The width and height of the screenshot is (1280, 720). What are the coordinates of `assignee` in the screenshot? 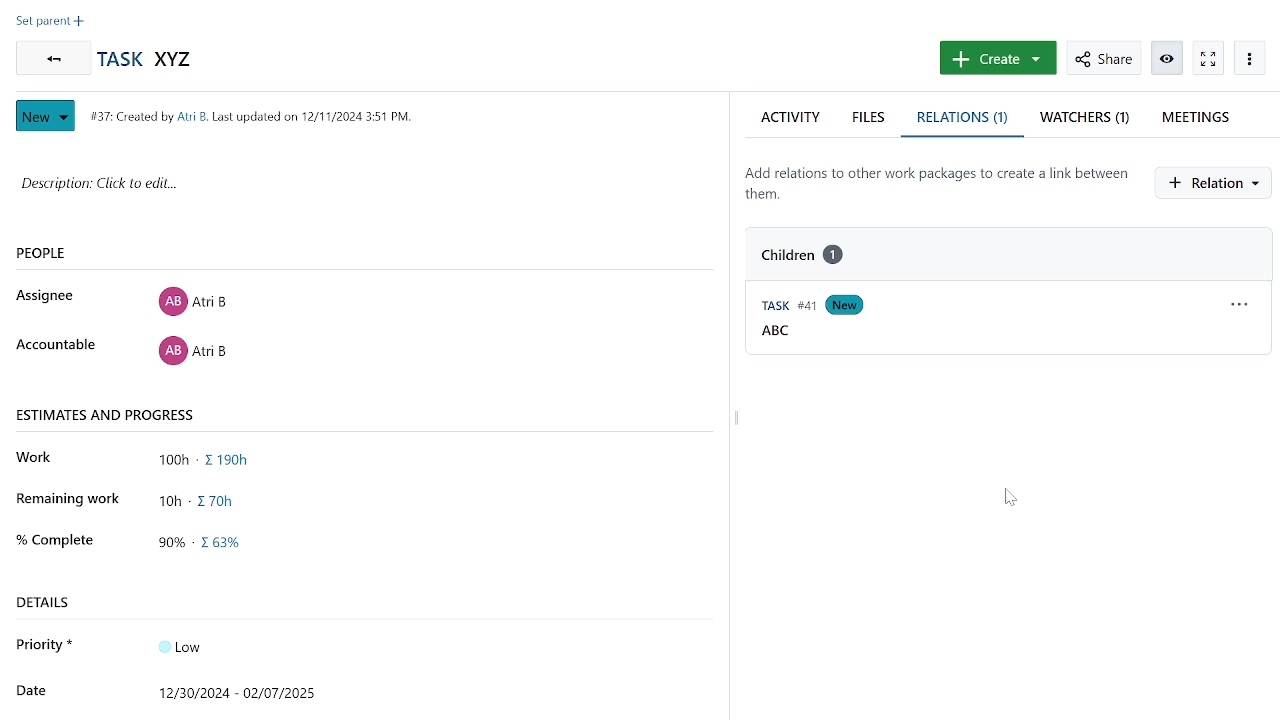 It's located at (50, 296).